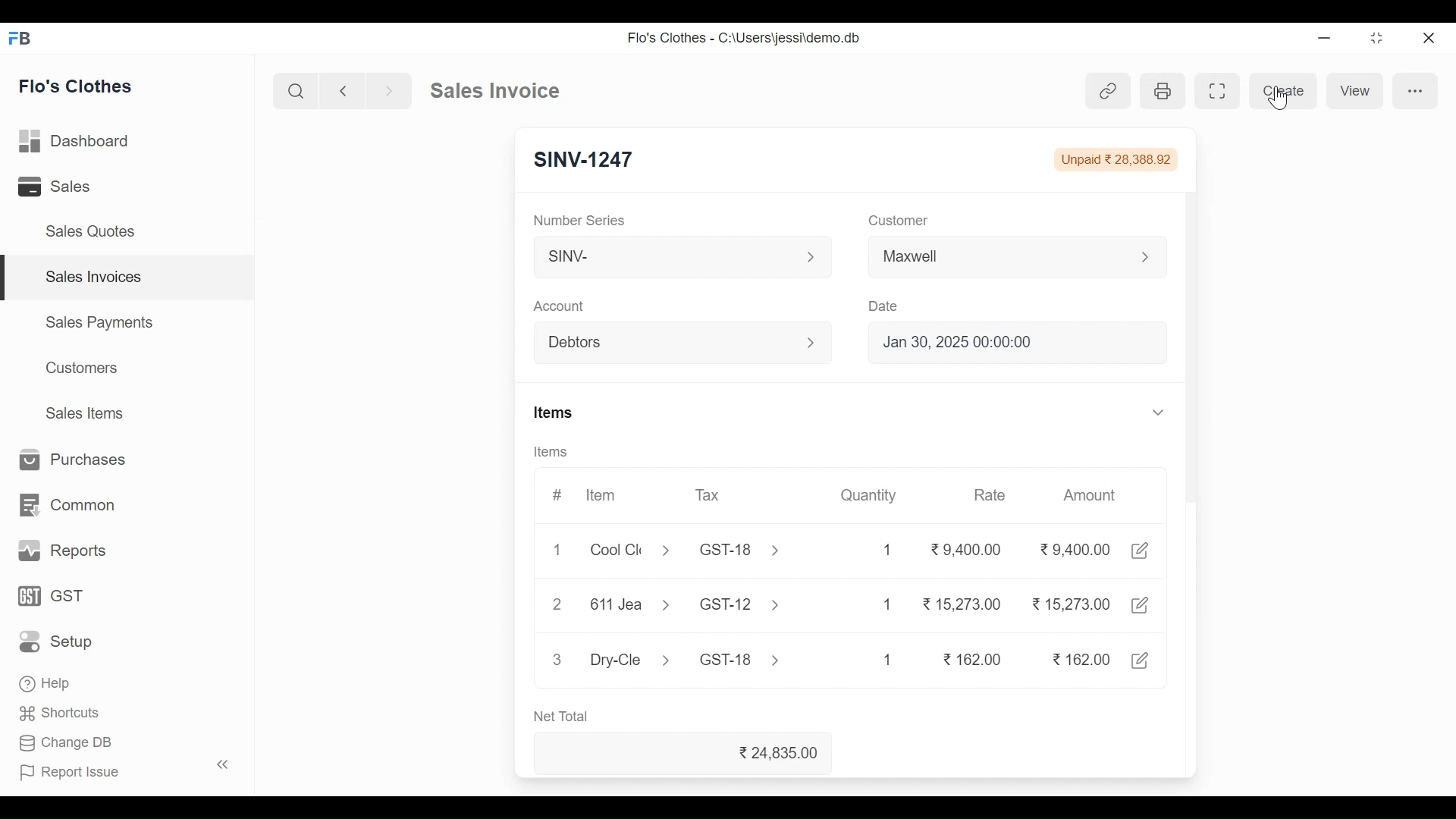  What do you see at coordinates (1088, 494) in the screenshot?
I see `Amount` at bounding box center [1088, 494].